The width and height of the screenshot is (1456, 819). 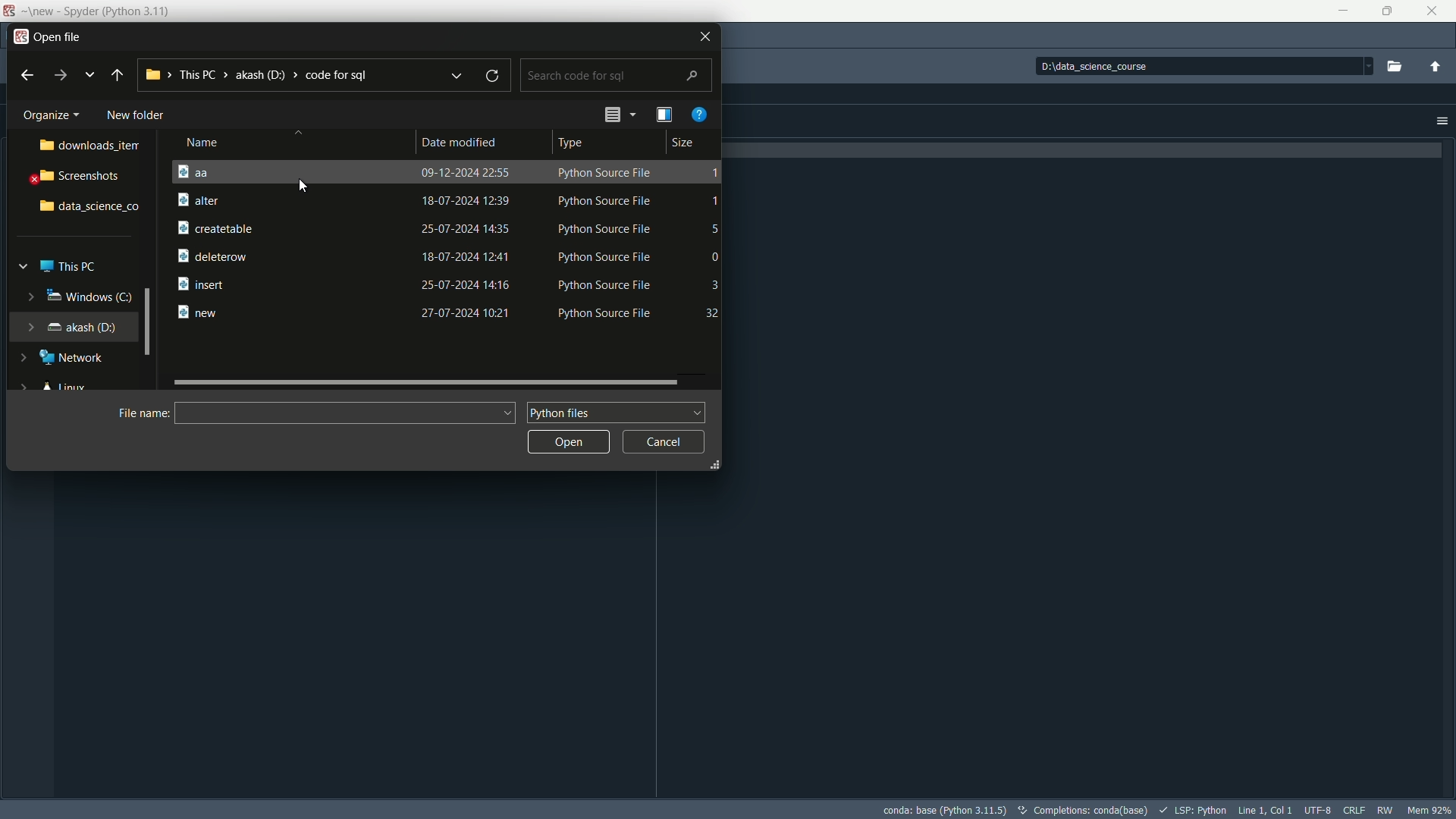 What do you see at coordinates (947, 810) in the screenshot?
I see `python interpretor` at bounding box center [947, 810].